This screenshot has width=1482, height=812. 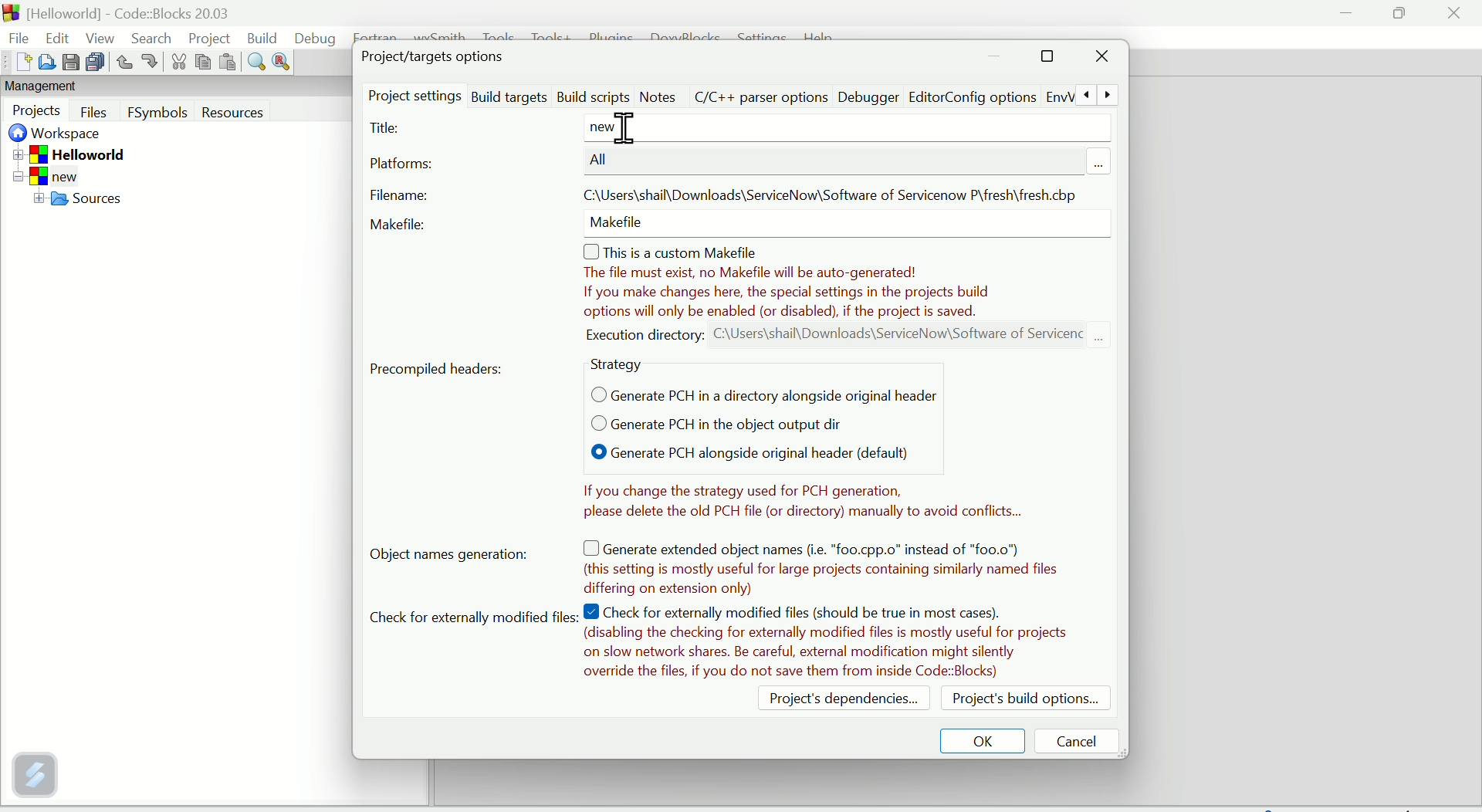 What do you see at coordinates (796, 499) in the screenshot?
I see `Notes` at bounding box center [796, 499].